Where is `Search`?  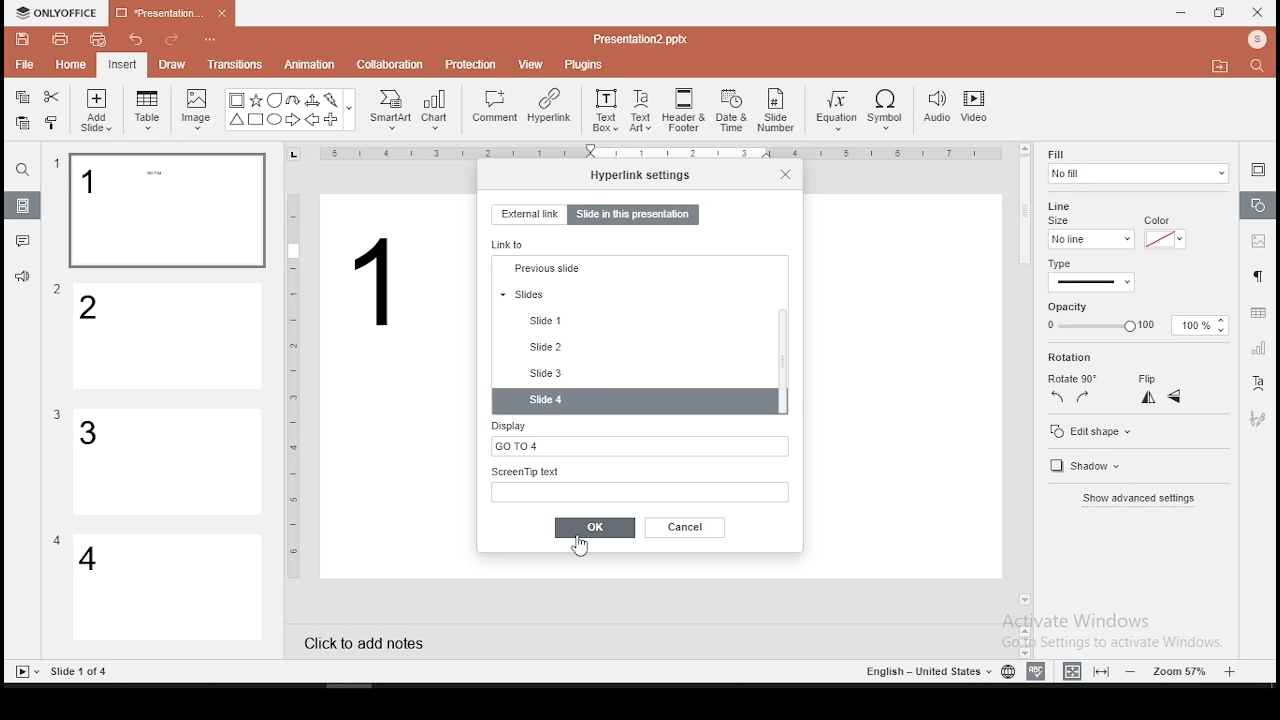 Search is located at coordinates (1263, 67).